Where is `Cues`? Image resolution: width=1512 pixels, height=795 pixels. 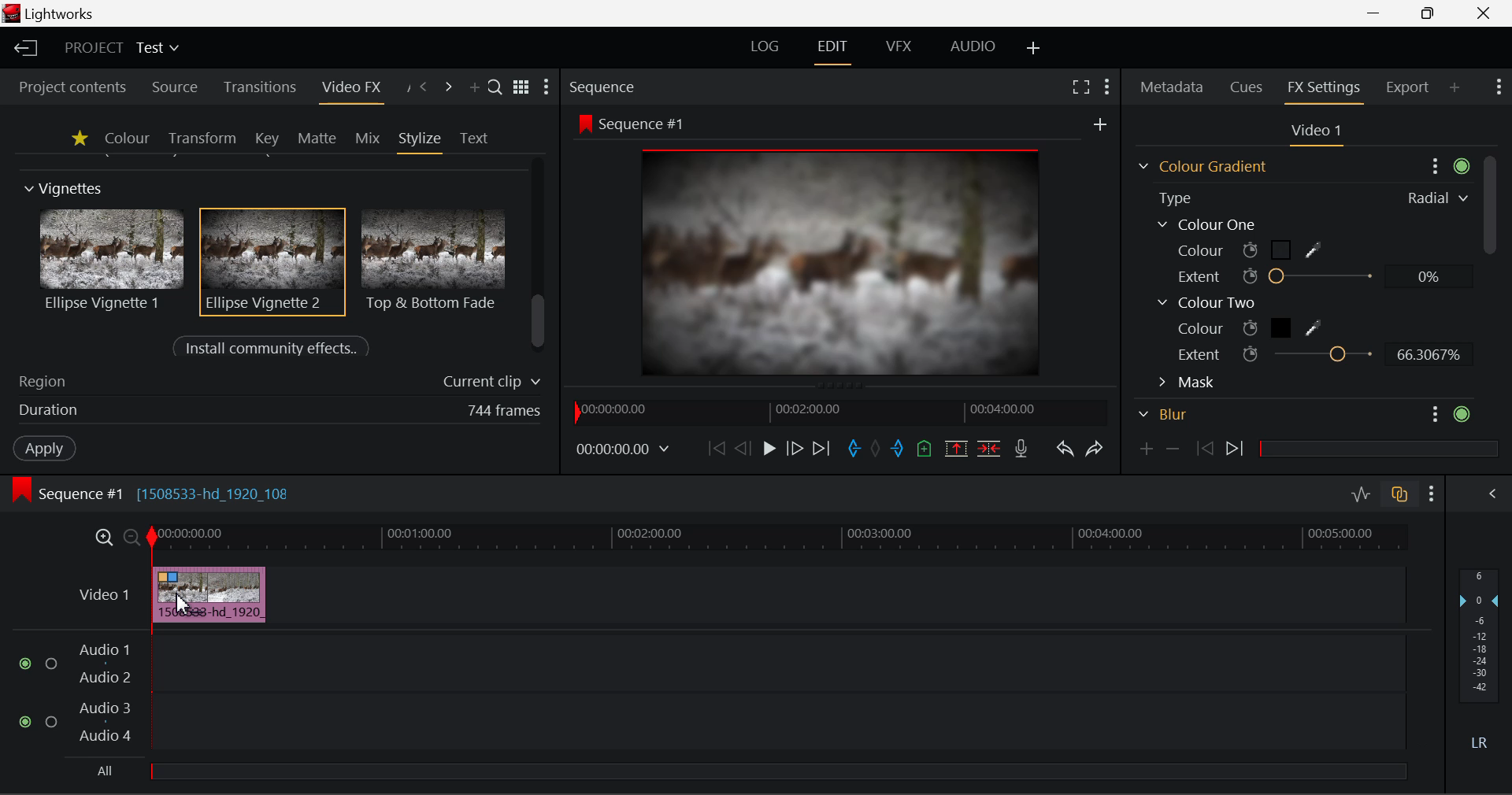 Cues is located at coordinates (1249, 88).